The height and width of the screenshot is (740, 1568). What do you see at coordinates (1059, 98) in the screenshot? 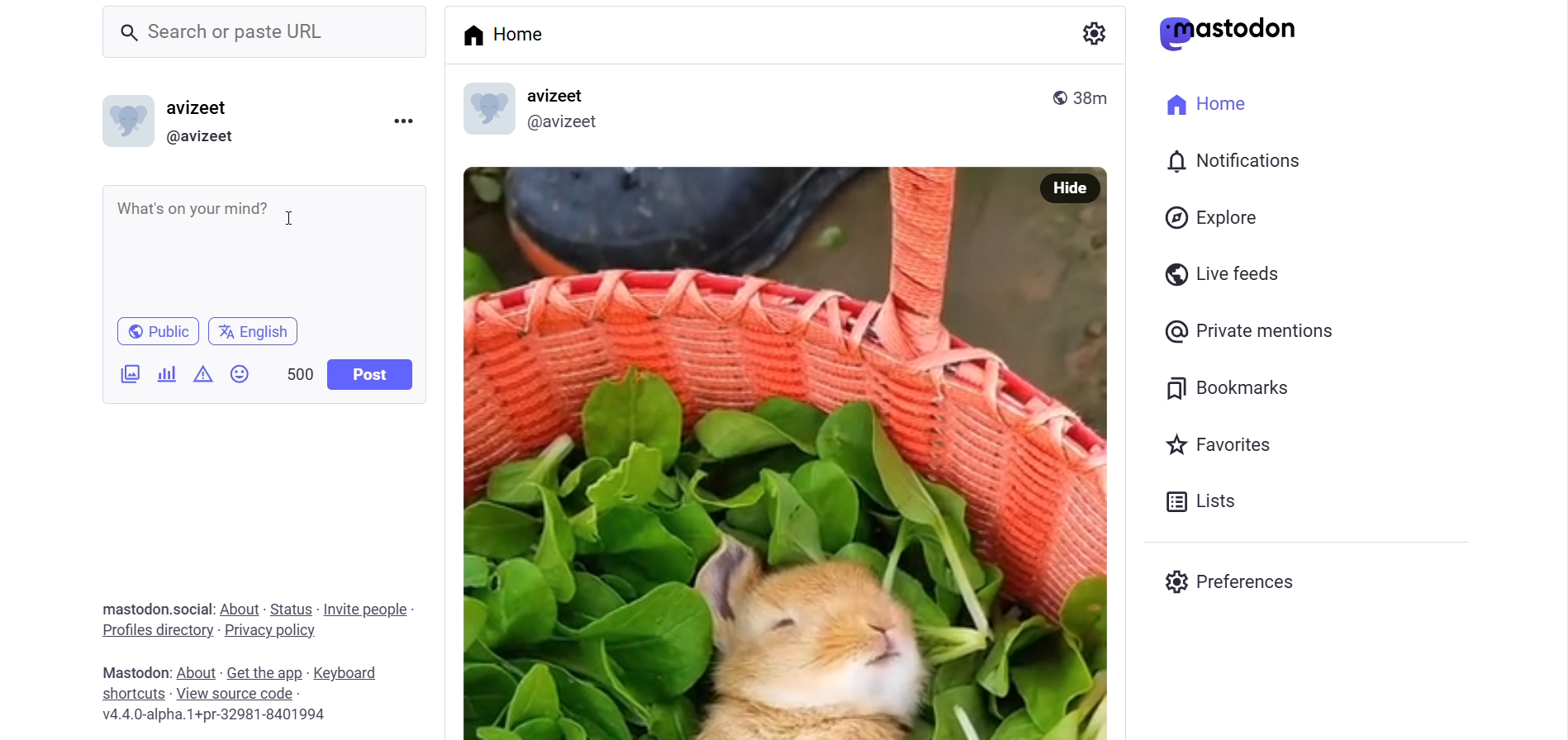
I see `public post` at bounding box center [1059, 98].